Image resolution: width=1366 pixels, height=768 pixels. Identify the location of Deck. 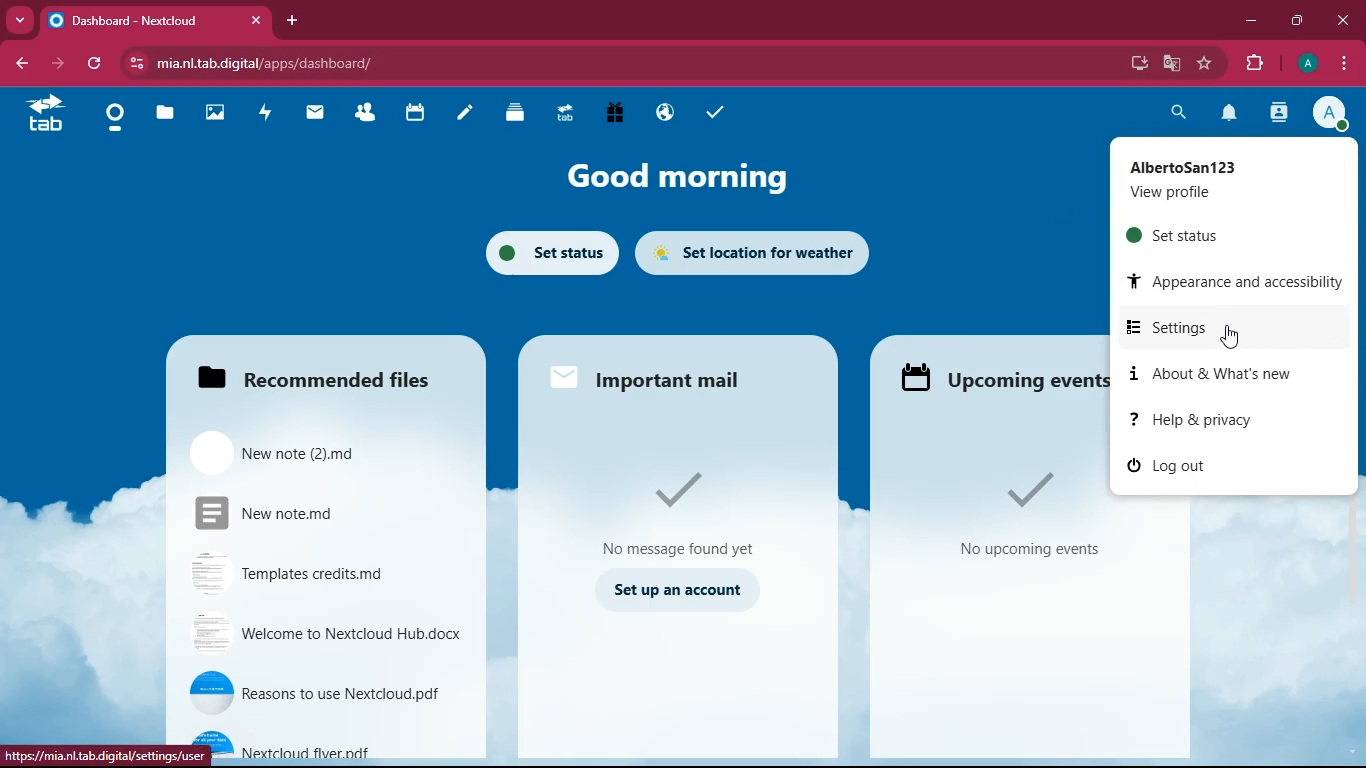
(517, 115).